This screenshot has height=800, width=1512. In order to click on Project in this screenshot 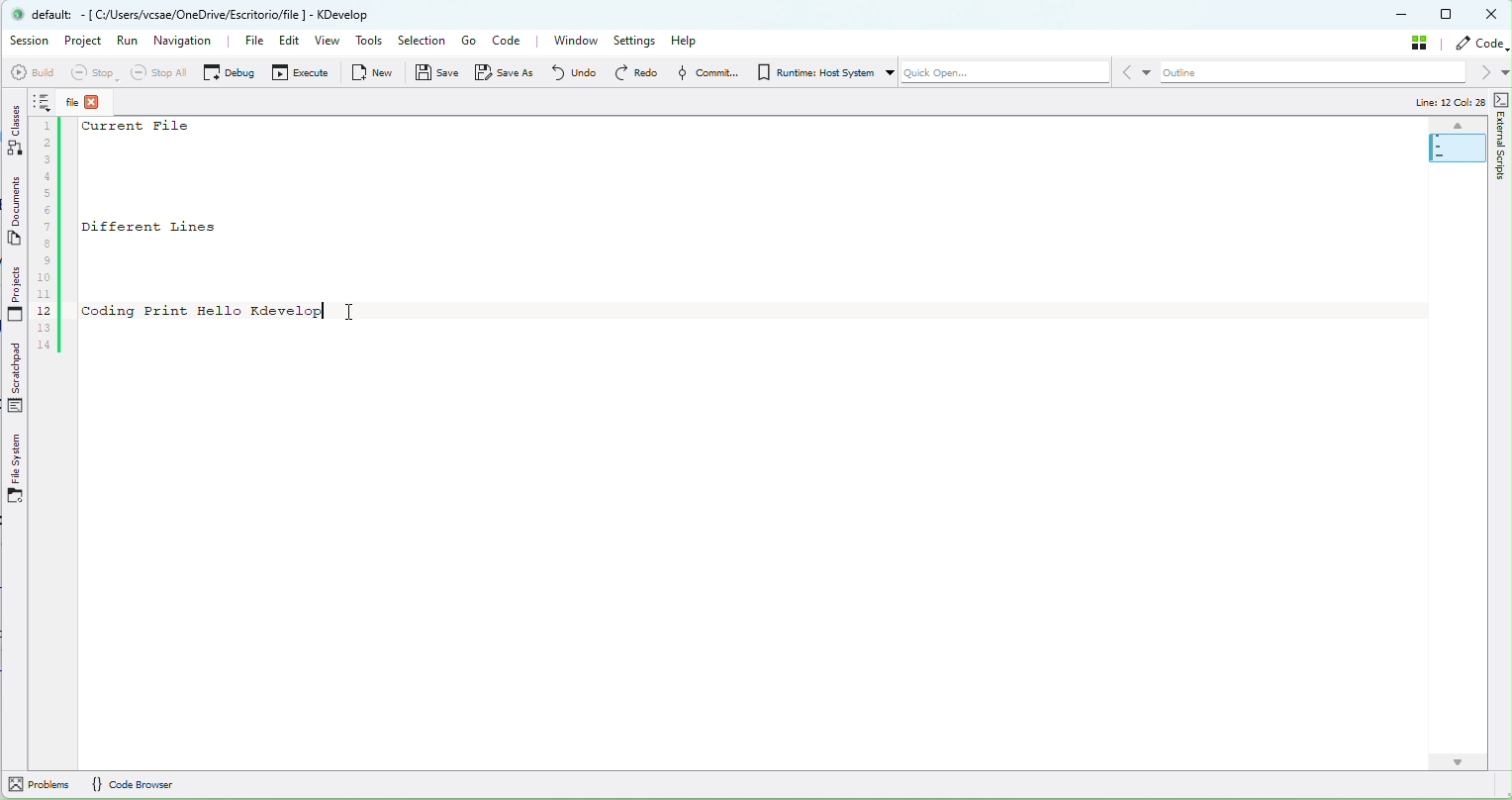, I will do `click(86, 43)`.